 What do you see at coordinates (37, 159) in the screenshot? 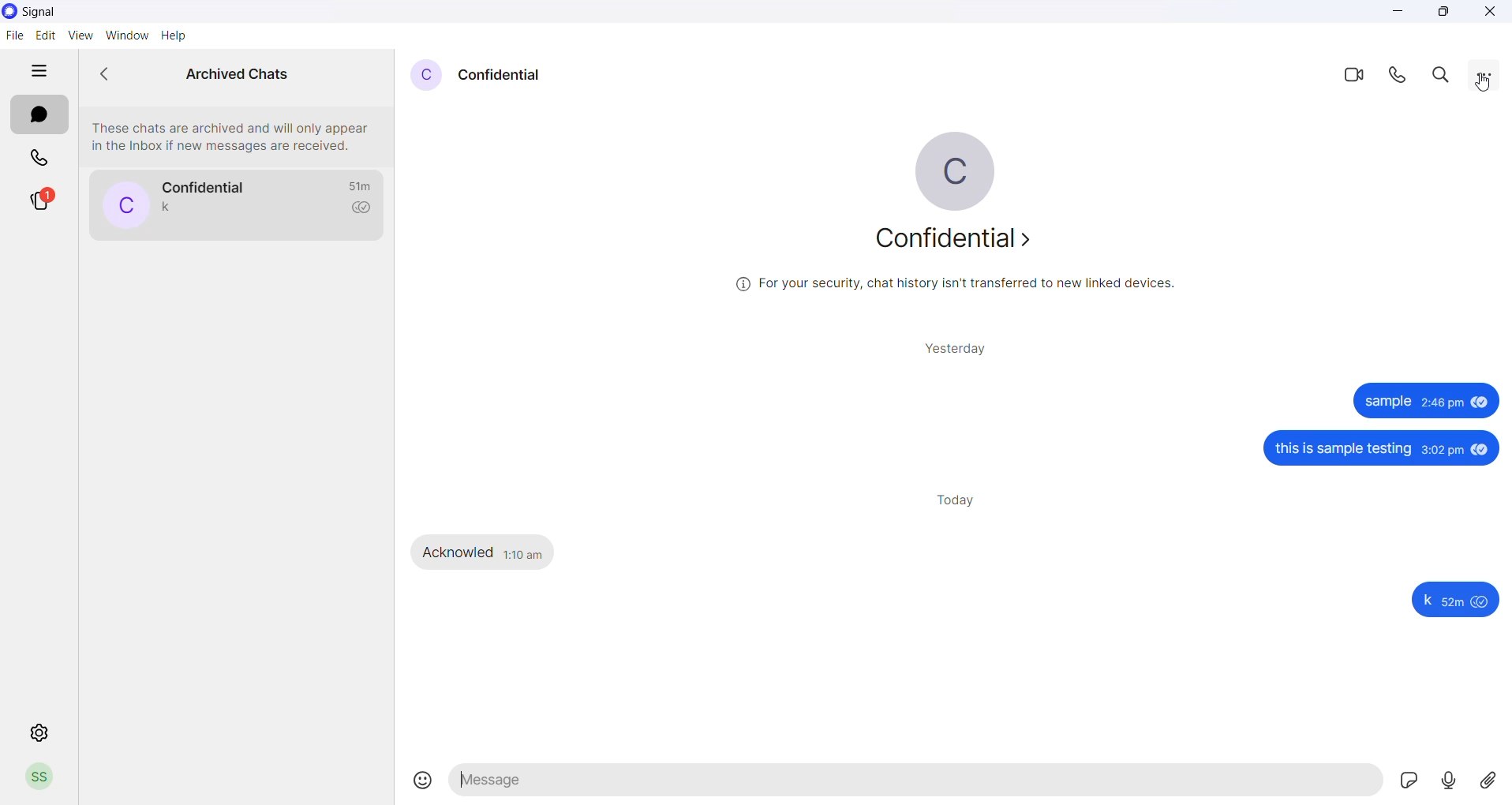
I see `calls` at bounding box center [37, 159].